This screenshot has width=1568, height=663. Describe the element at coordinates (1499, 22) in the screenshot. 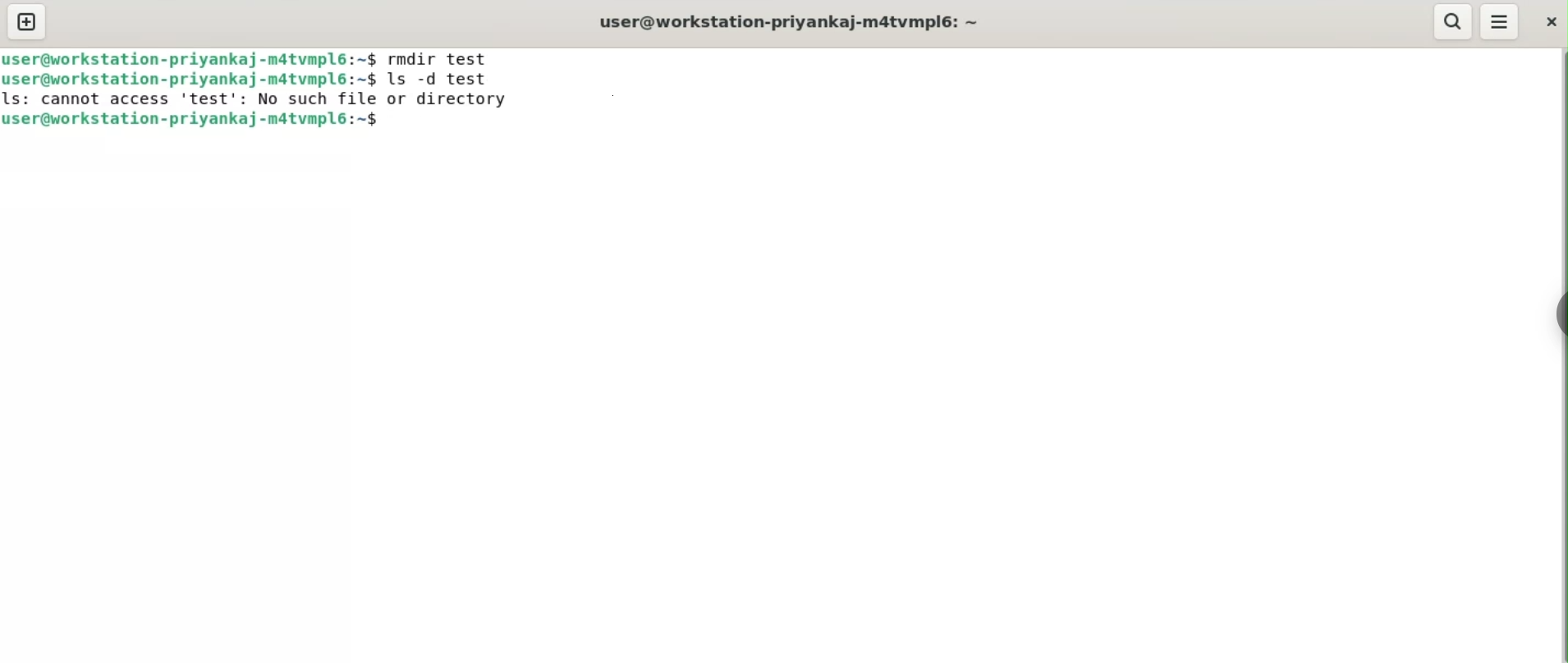

I see `menu` at that location.